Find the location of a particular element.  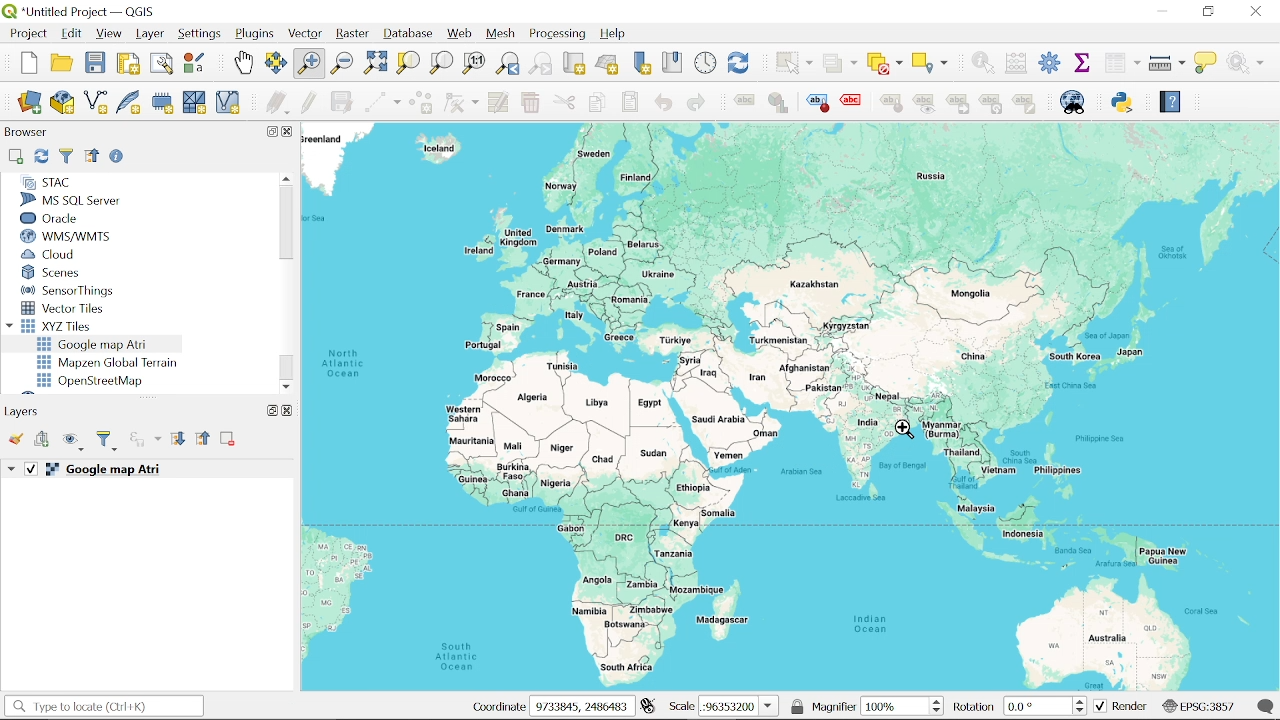

Toggle editing is located at coordinates (309, 103).